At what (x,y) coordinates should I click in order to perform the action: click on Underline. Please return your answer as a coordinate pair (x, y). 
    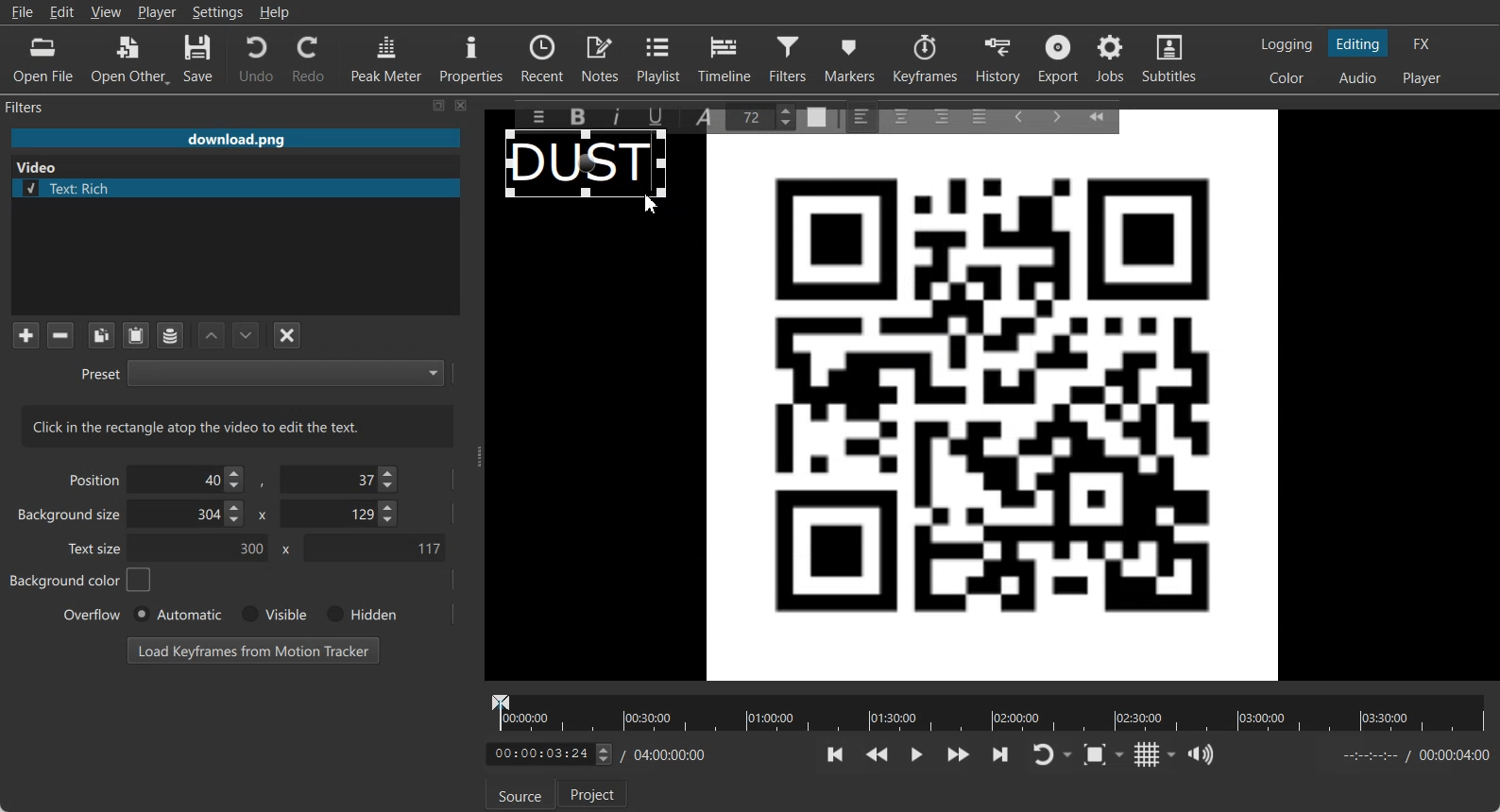
    Looking at the image, I should click on (662, 116).